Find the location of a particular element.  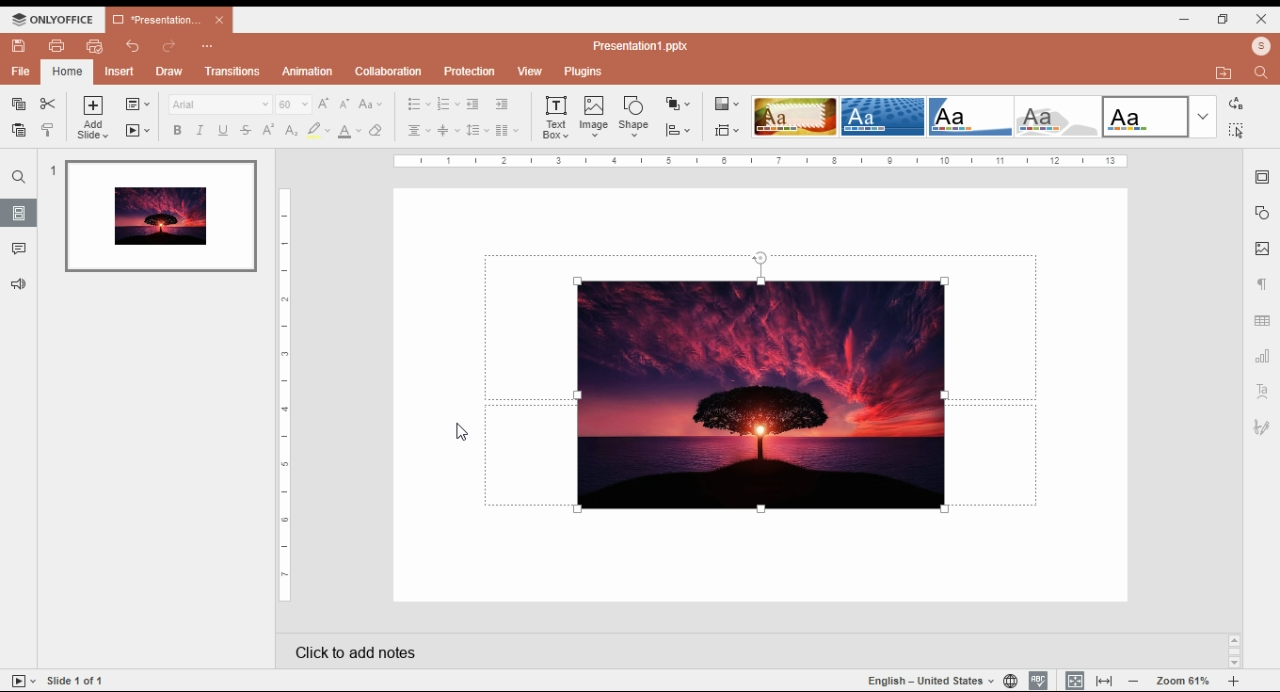

profile is located at coordinates (1261, 48).